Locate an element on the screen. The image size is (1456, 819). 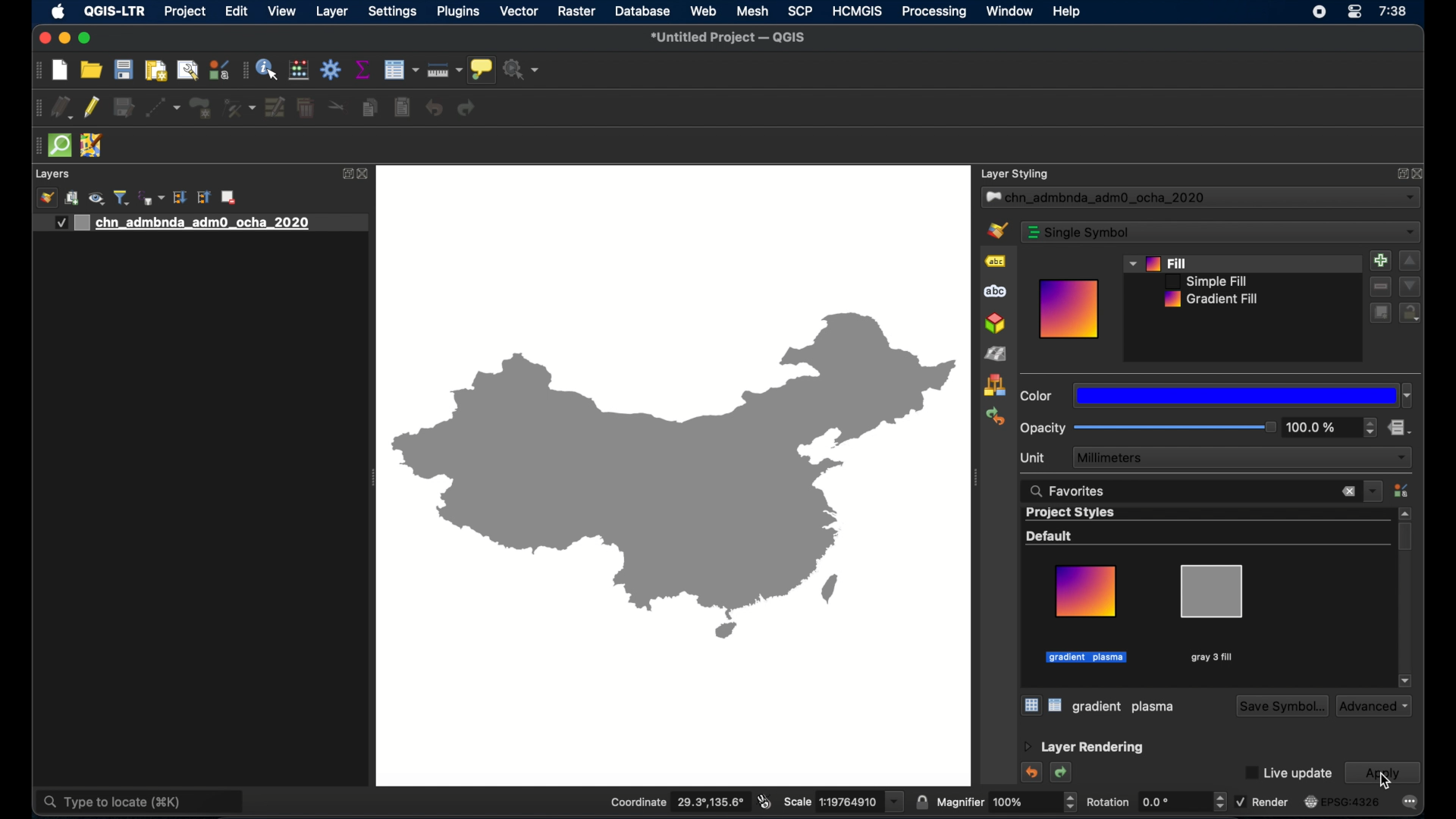
magnifier is located at coordinates (996, 802).